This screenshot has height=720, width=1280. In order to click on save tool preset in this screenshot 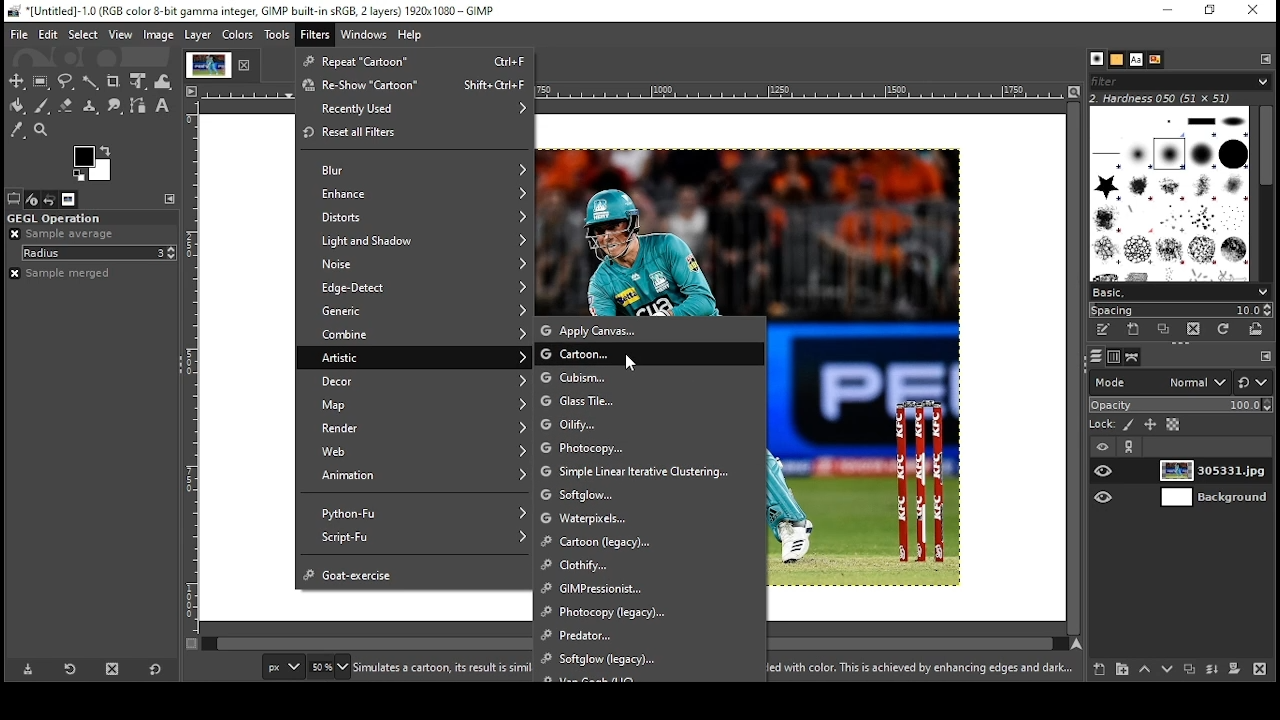, I will do `click(29, 669)`.